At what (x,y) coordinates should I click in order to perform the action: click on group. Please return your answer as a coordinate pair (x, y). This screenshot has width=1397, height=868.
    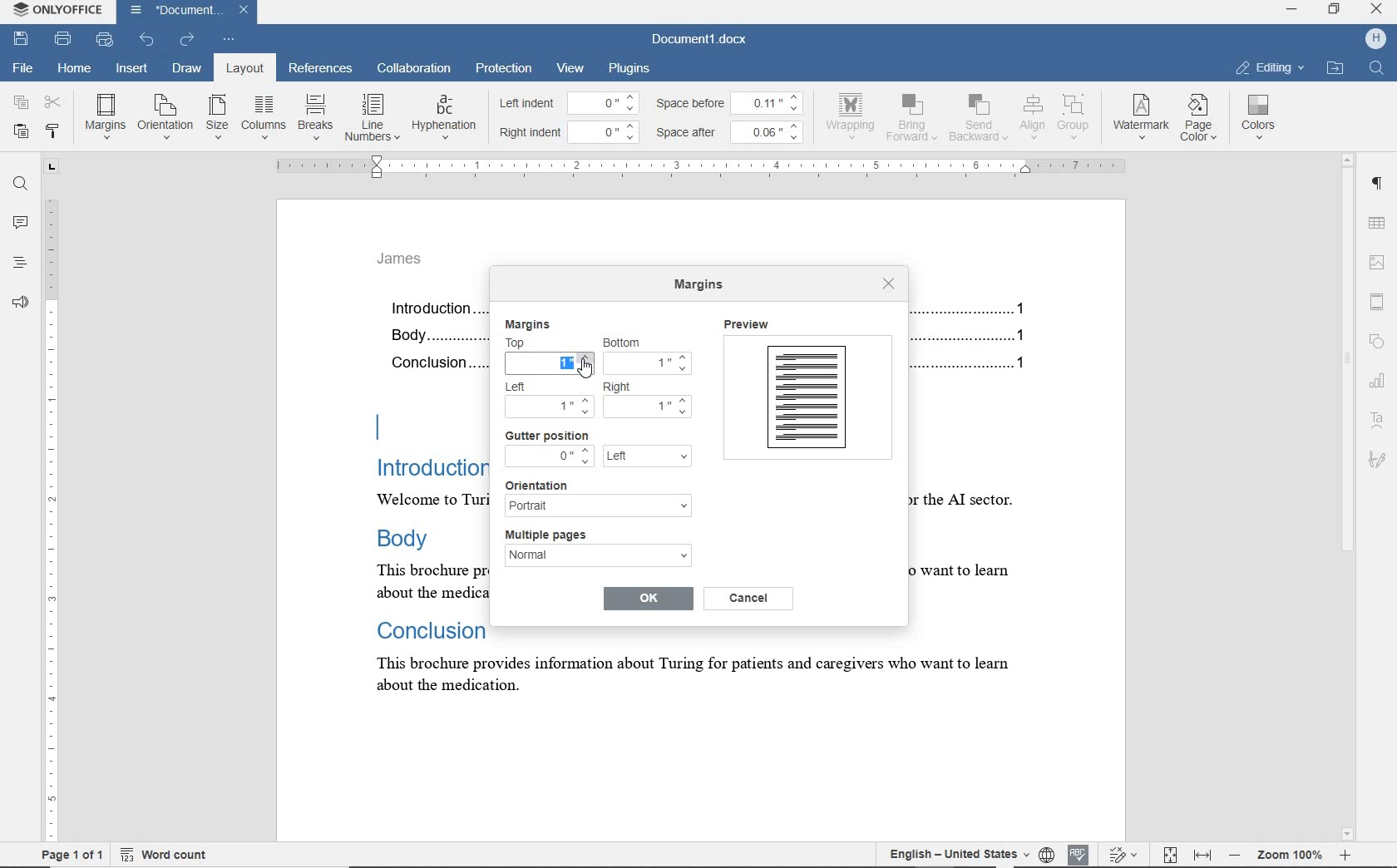
    Looking at the image, I should click on (1074, 116).